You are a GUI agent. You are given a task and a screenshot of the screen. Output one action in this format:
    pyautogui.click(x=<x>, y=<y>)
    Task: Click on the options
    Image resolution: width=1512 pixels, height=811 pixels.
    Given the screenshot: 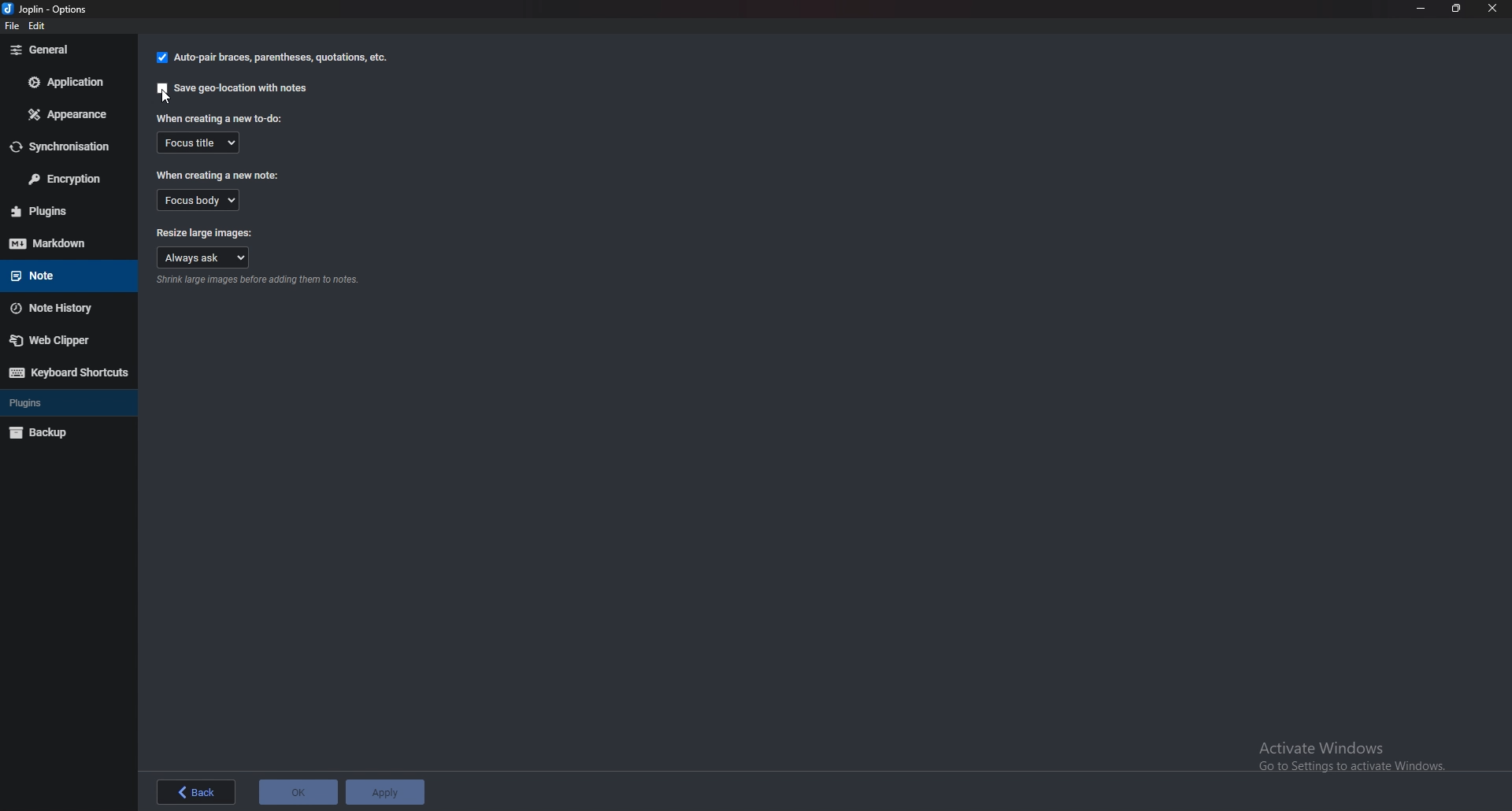 What is the action you would take?
    pyautogui.click(x=49, y=10)
    